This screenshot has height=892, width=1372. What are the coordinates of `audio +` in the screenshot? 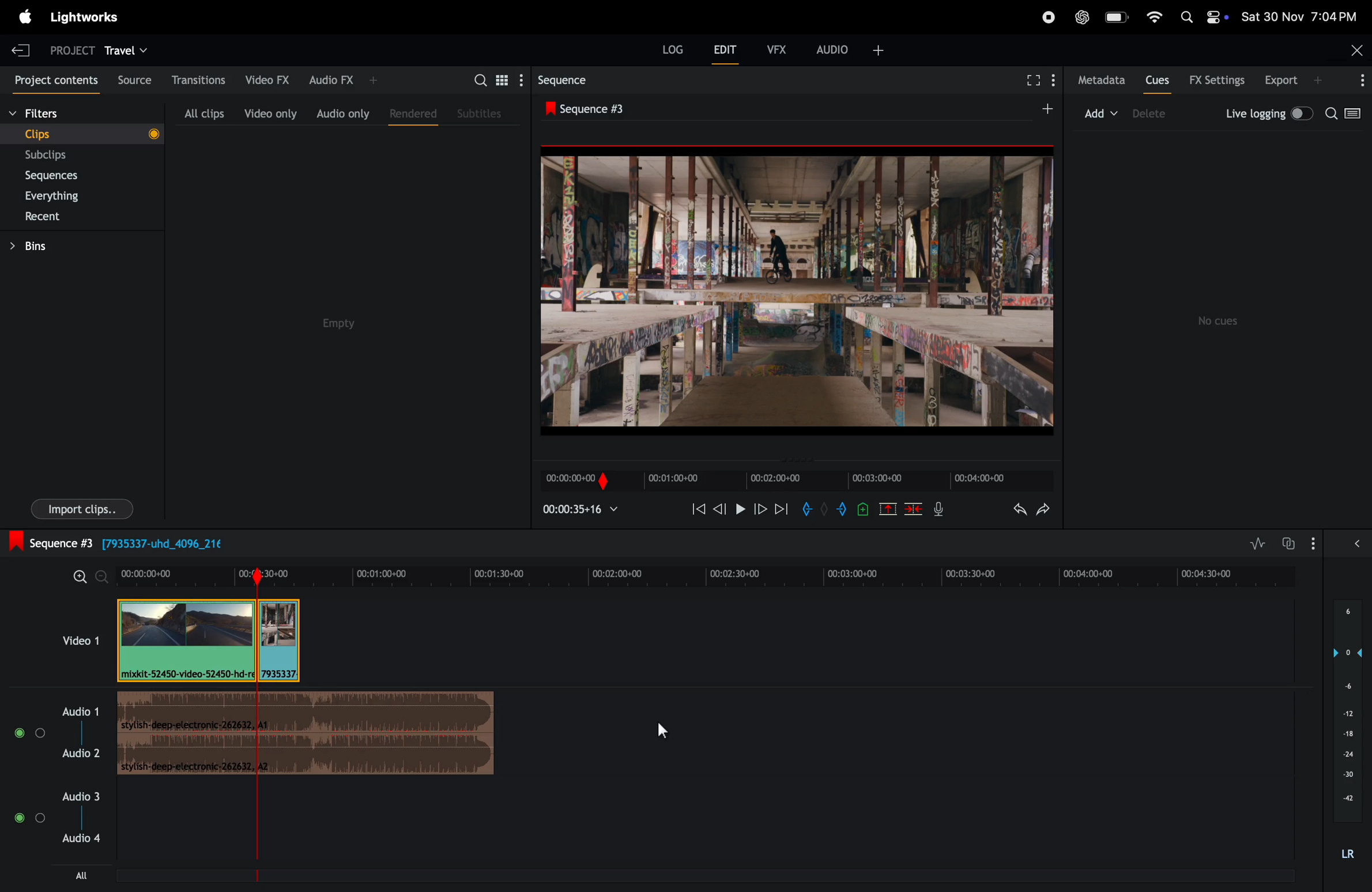 It's located at (853, 48).